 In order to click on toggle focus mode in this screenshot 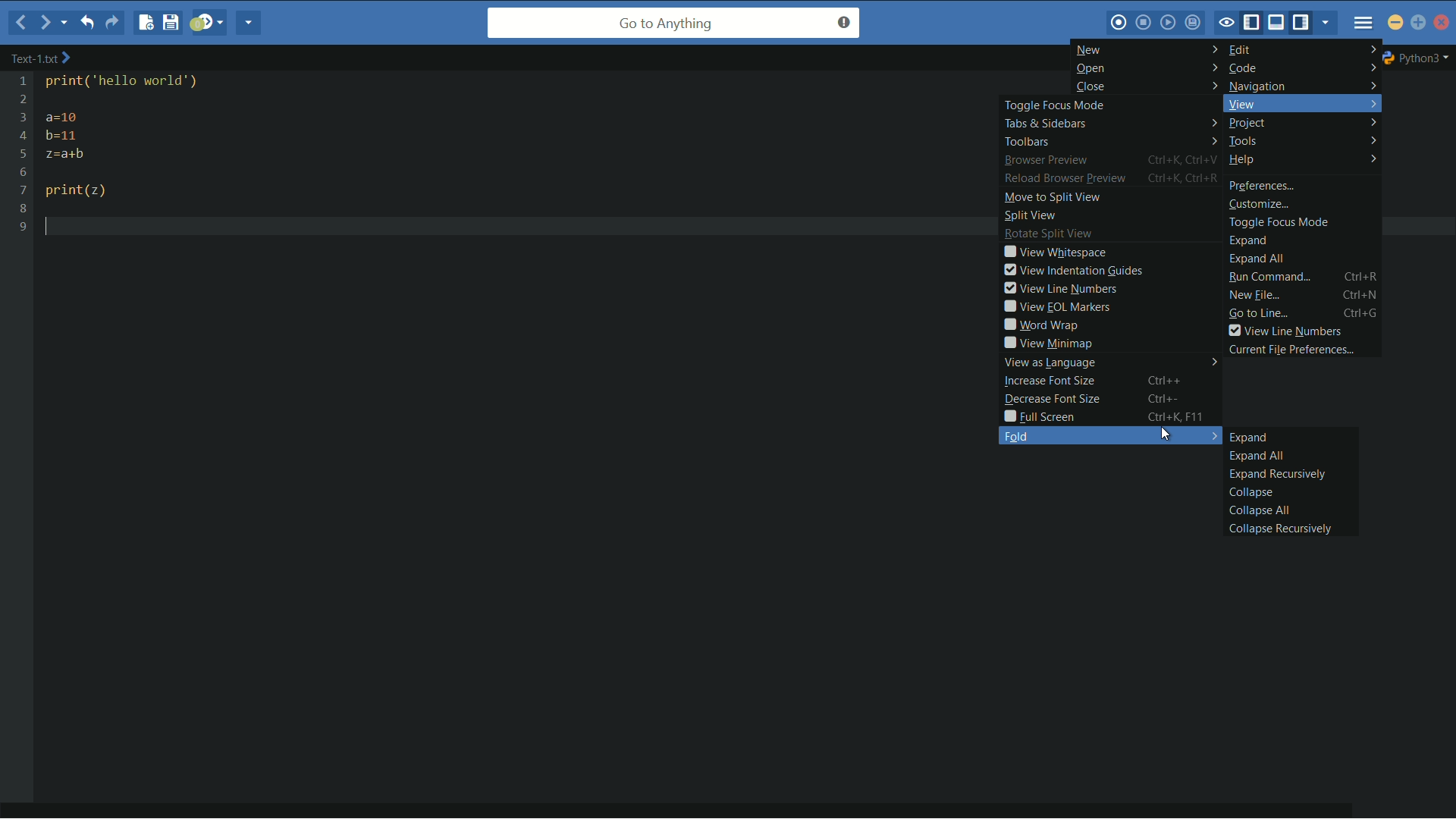, I will do `click(1056, 106)`.